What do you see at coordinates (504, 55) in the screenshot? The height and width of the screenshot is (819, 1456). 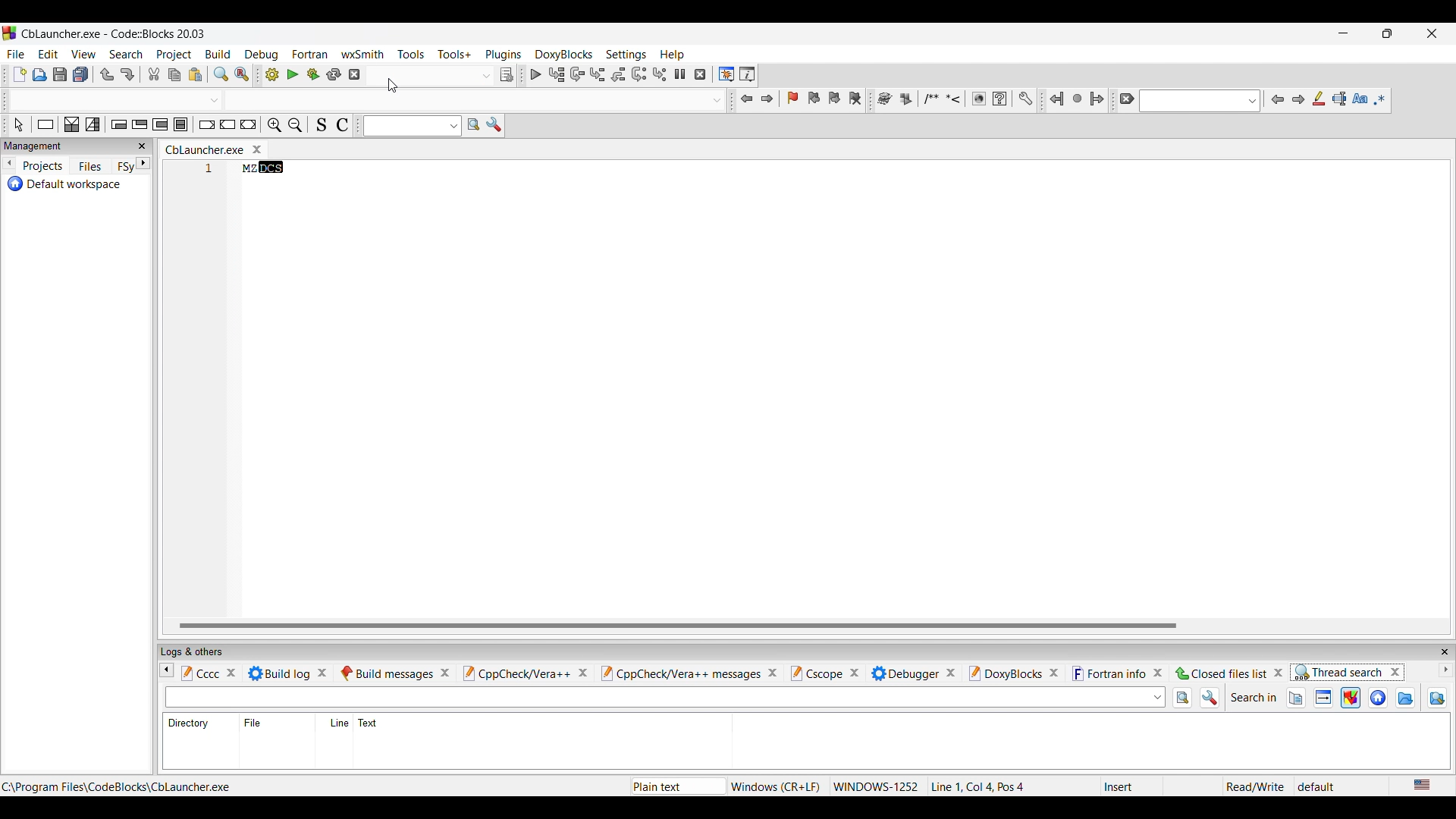 I see `Plugins menu` at bounding box center [504, 55].